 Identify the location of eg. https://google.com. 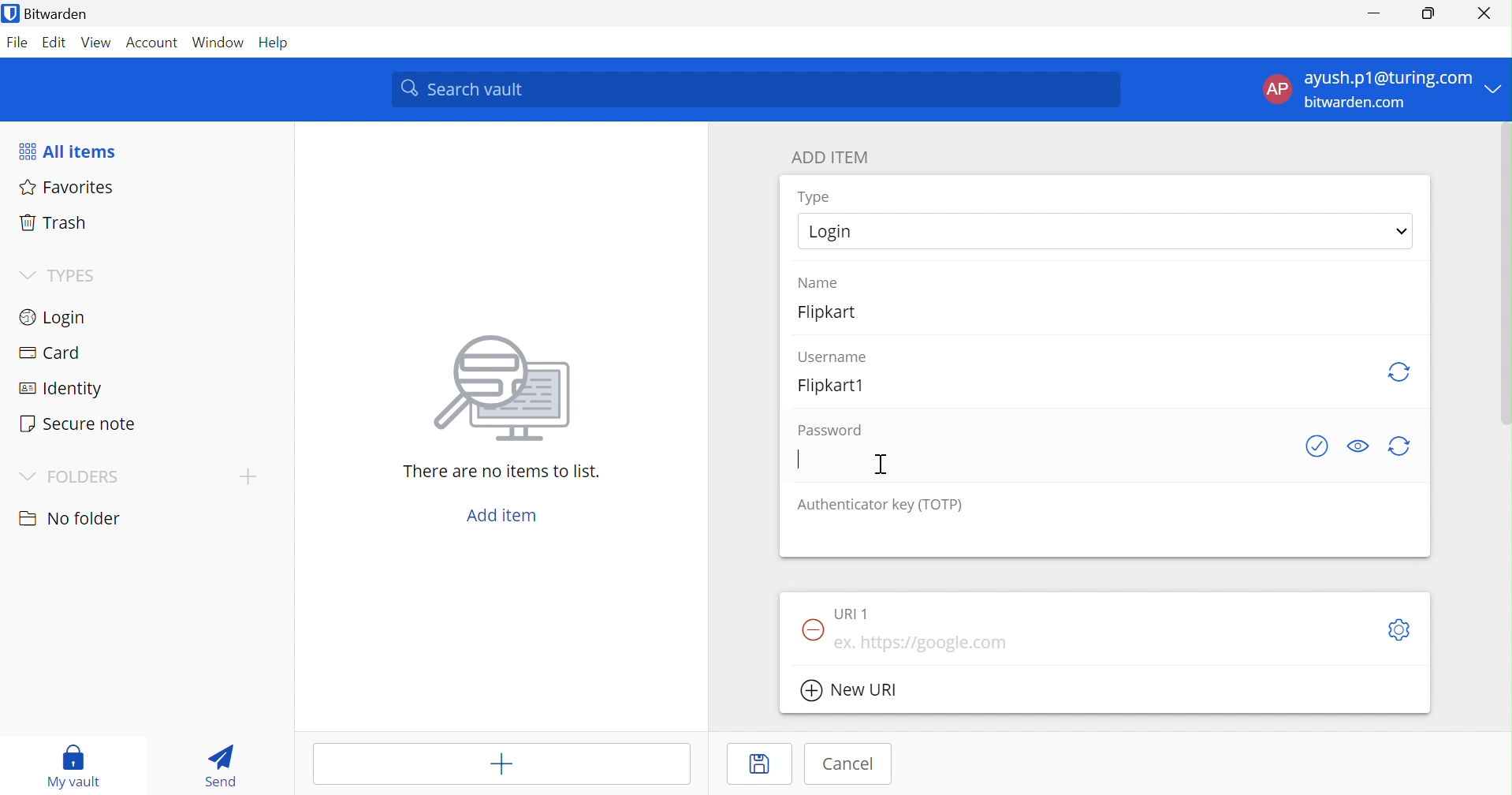
(922, 644).